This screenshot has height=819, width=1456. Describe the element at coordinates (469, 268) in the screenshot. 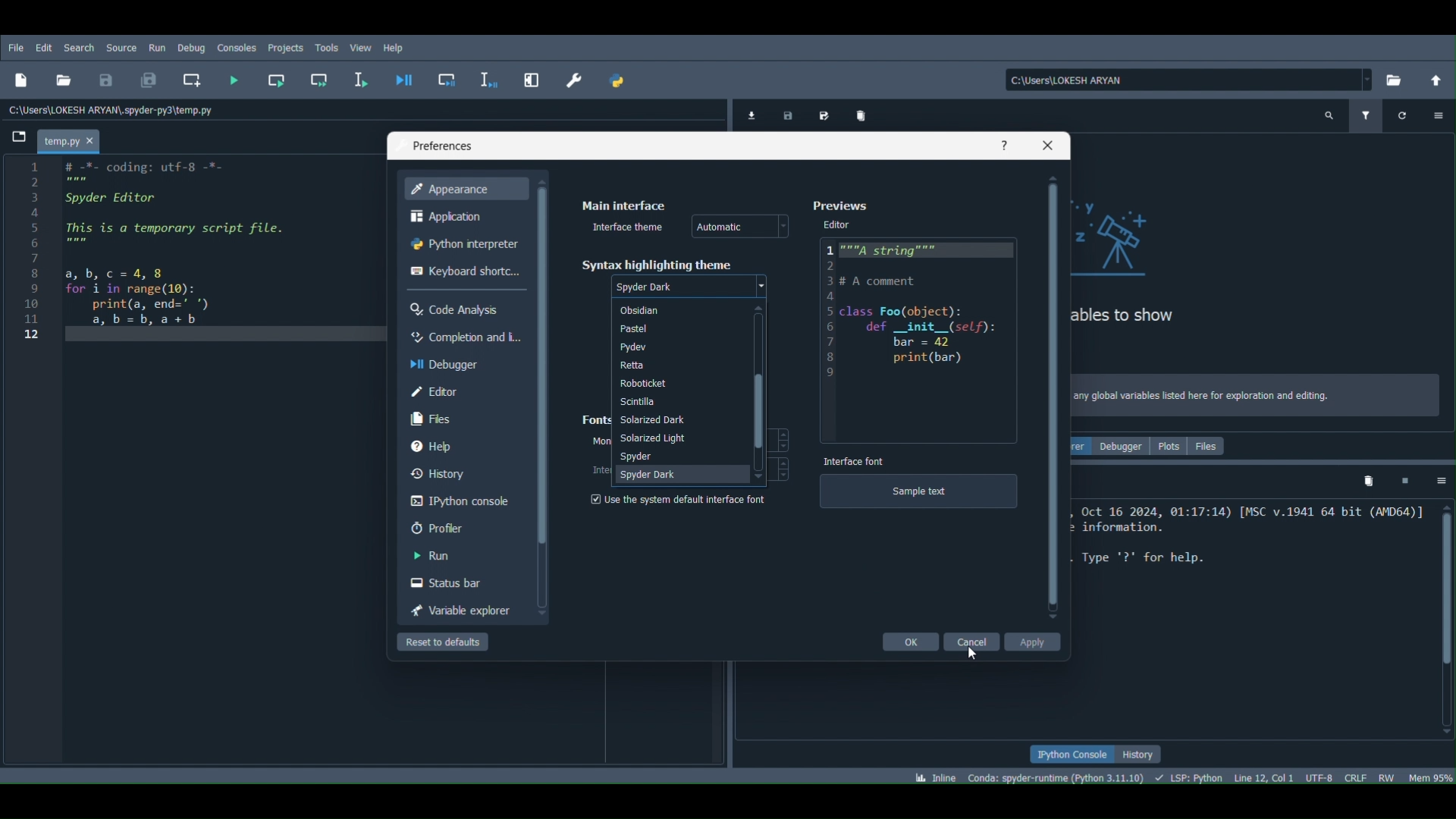

I see `Keyboard shortcuts` at that location.